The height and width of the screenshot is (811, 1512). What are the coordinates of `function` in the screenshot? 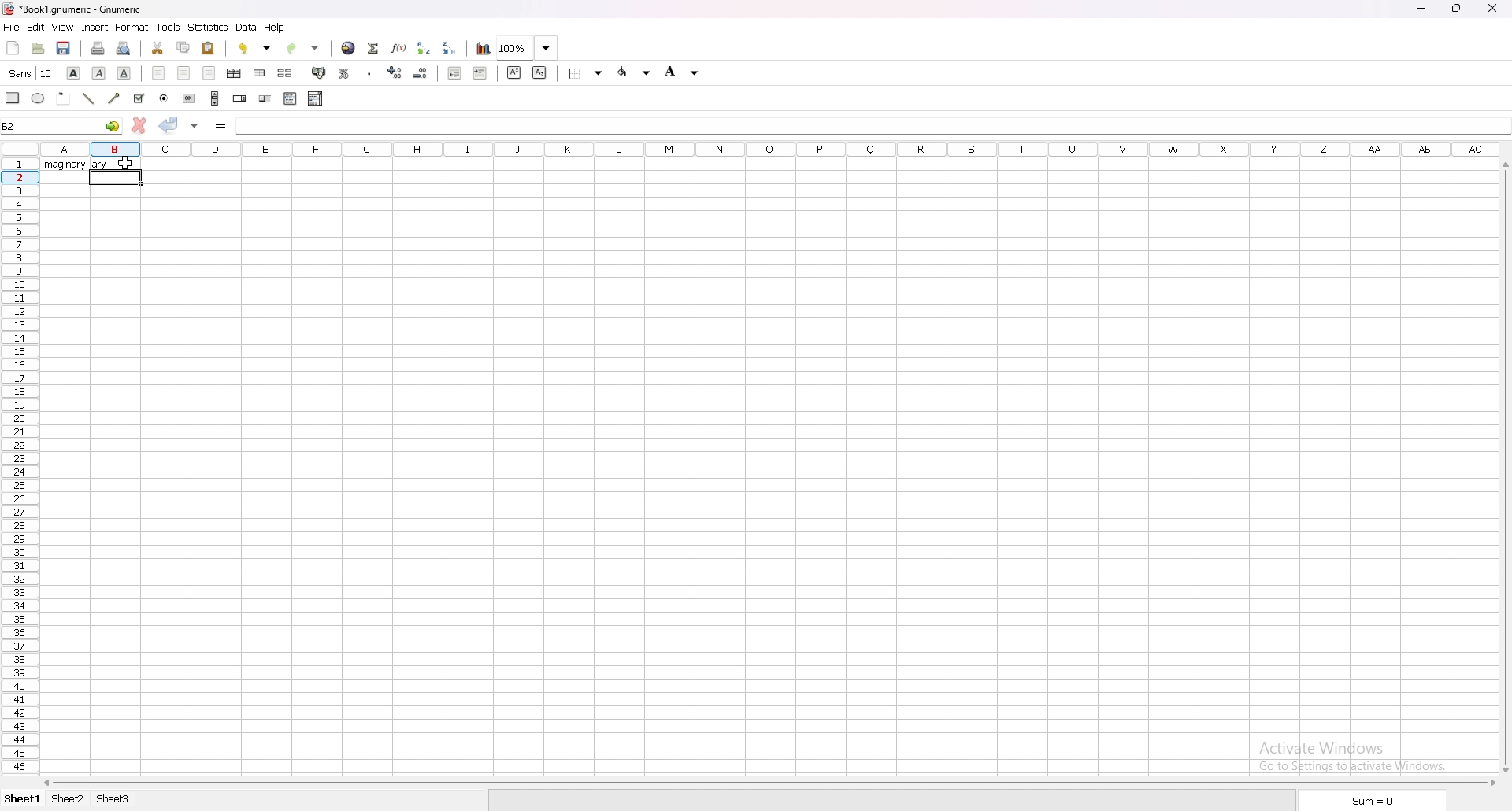 It's located at (399, 47).